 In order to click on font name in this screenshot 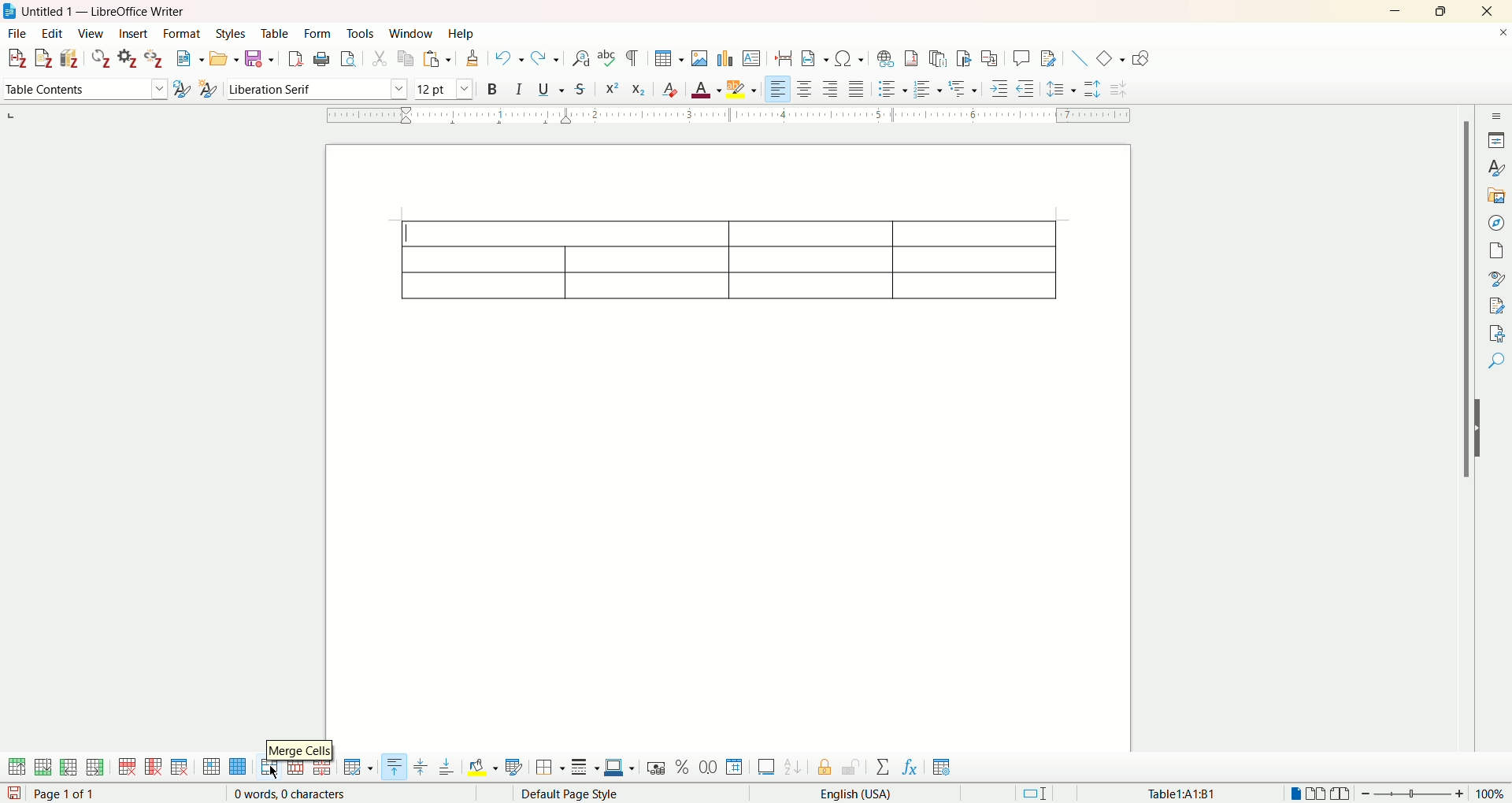, I will do `click(313, 89)`.